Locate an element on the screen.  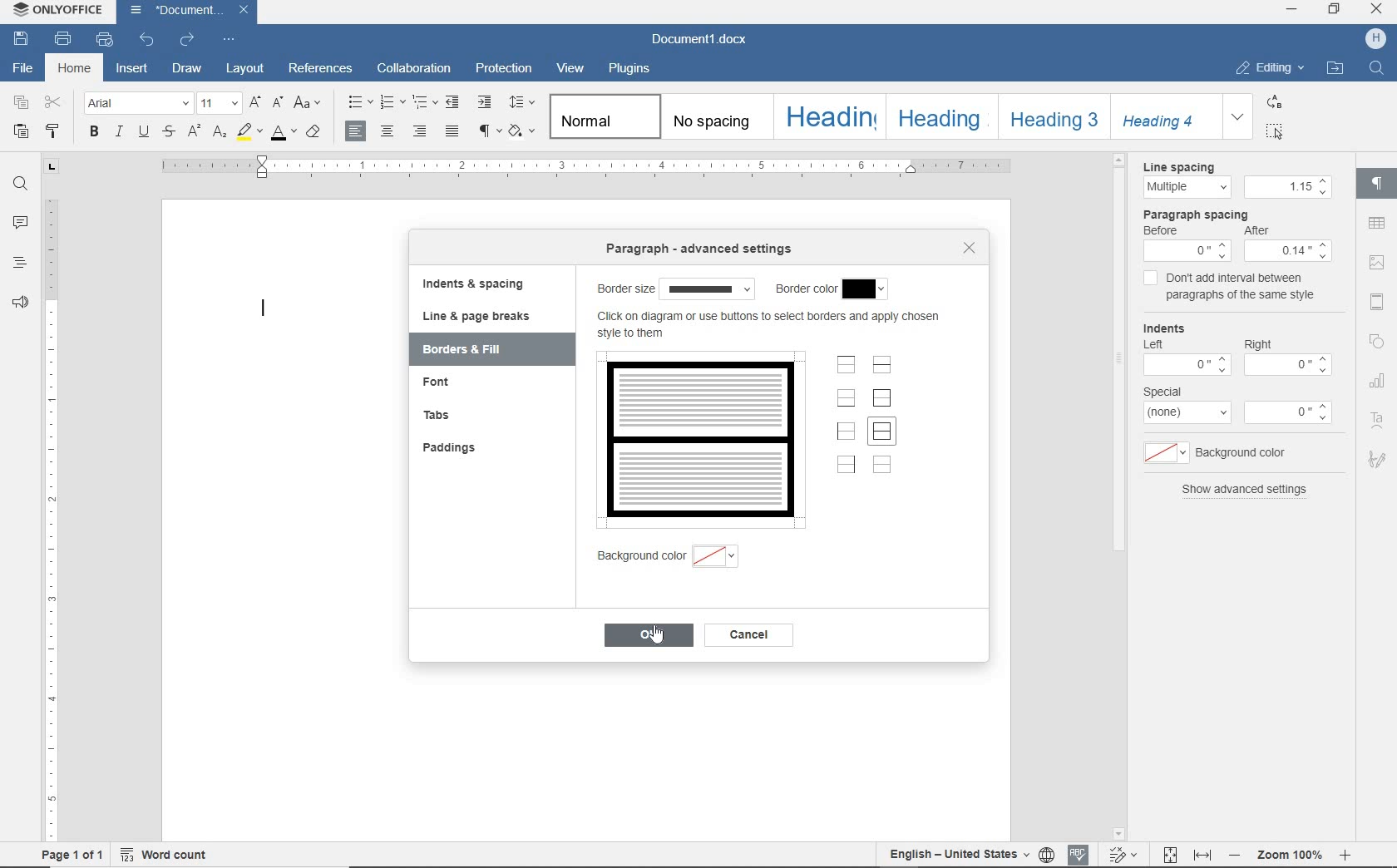
RESTORE is located at coordinates (1335, 11).